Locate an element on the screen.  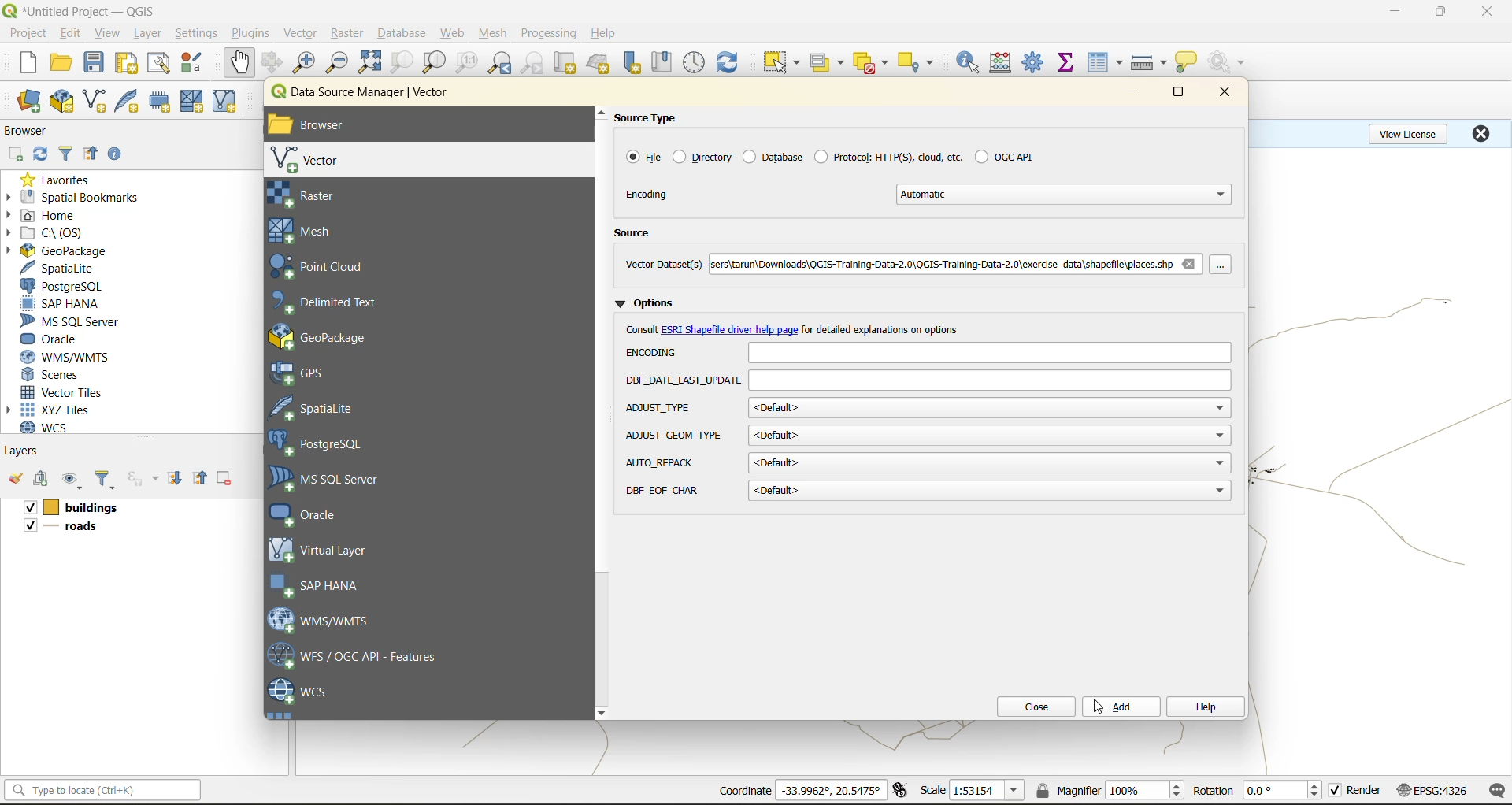
minimize is located at coordinates (1395, 11).